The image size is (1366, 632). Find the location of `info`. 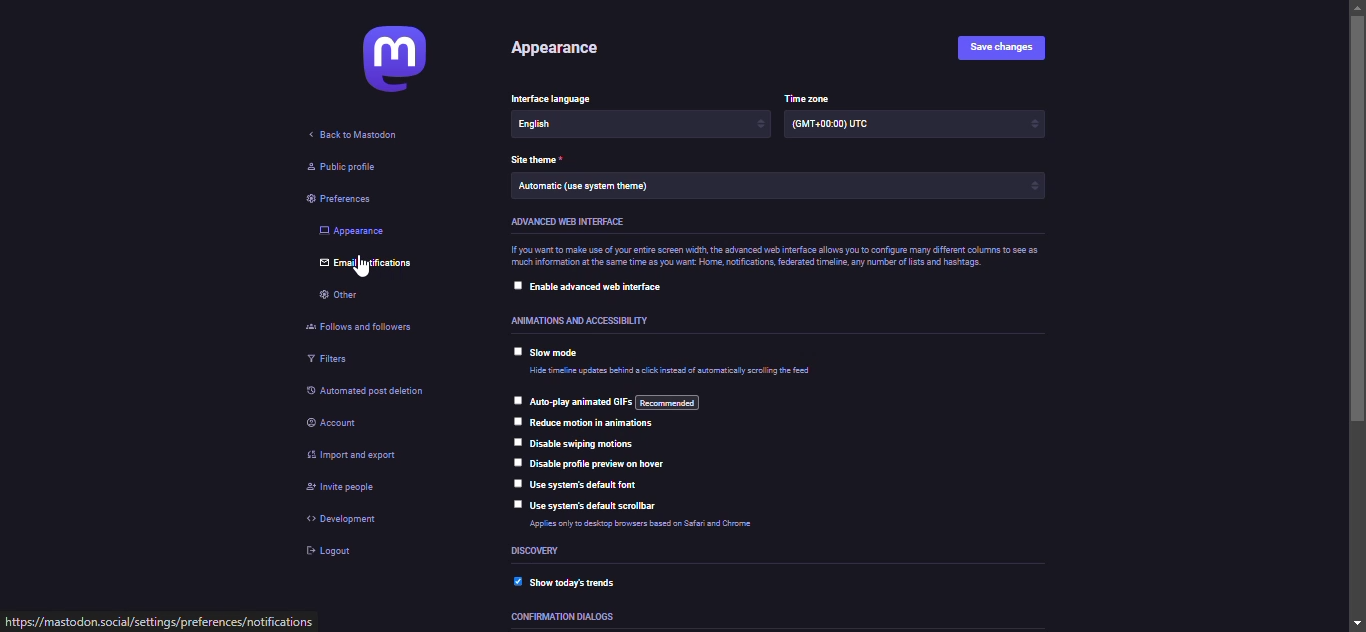

info is located at coordinates (651, 524).